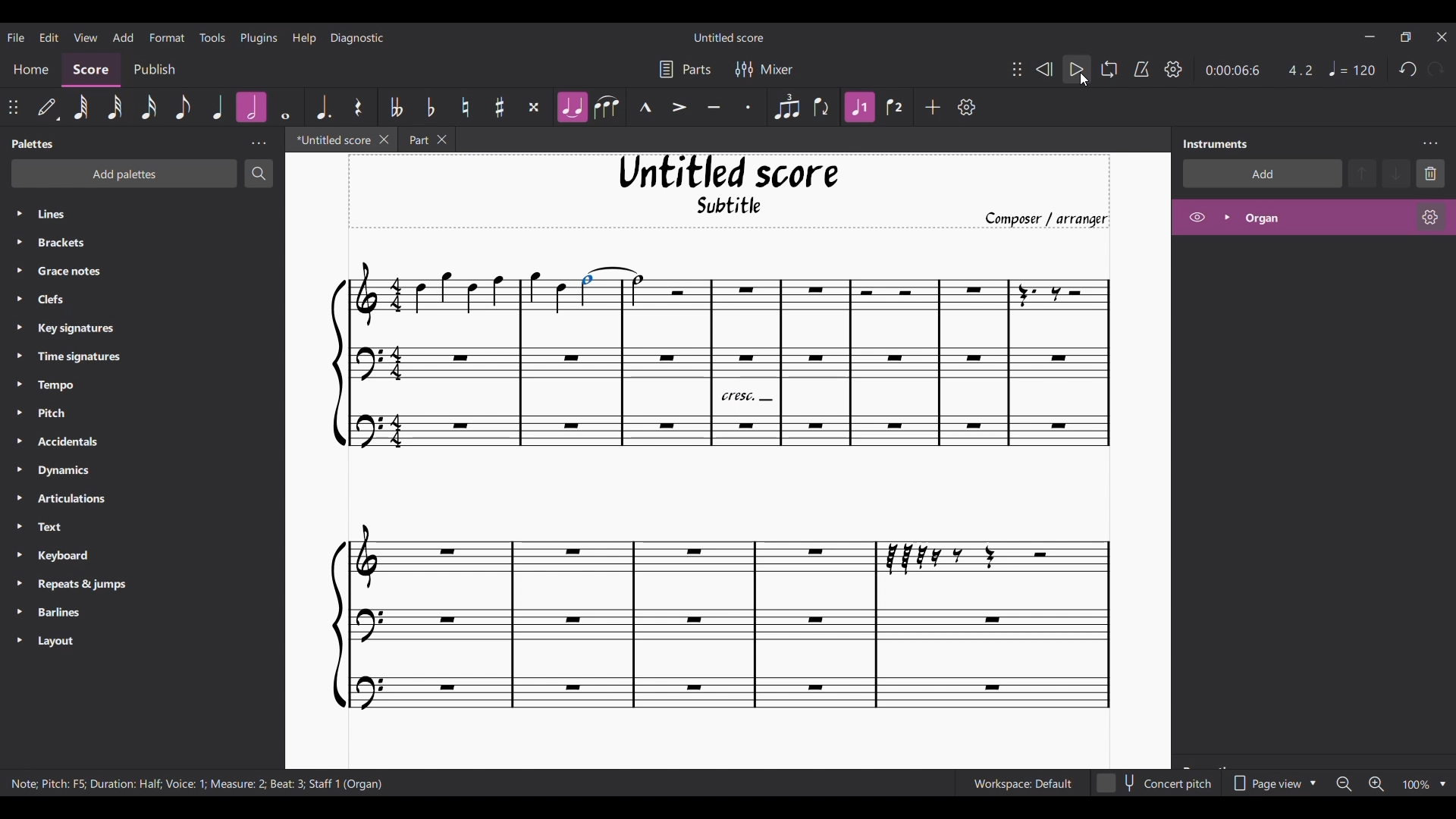  I want to click on 16th note, so click(149, 107).